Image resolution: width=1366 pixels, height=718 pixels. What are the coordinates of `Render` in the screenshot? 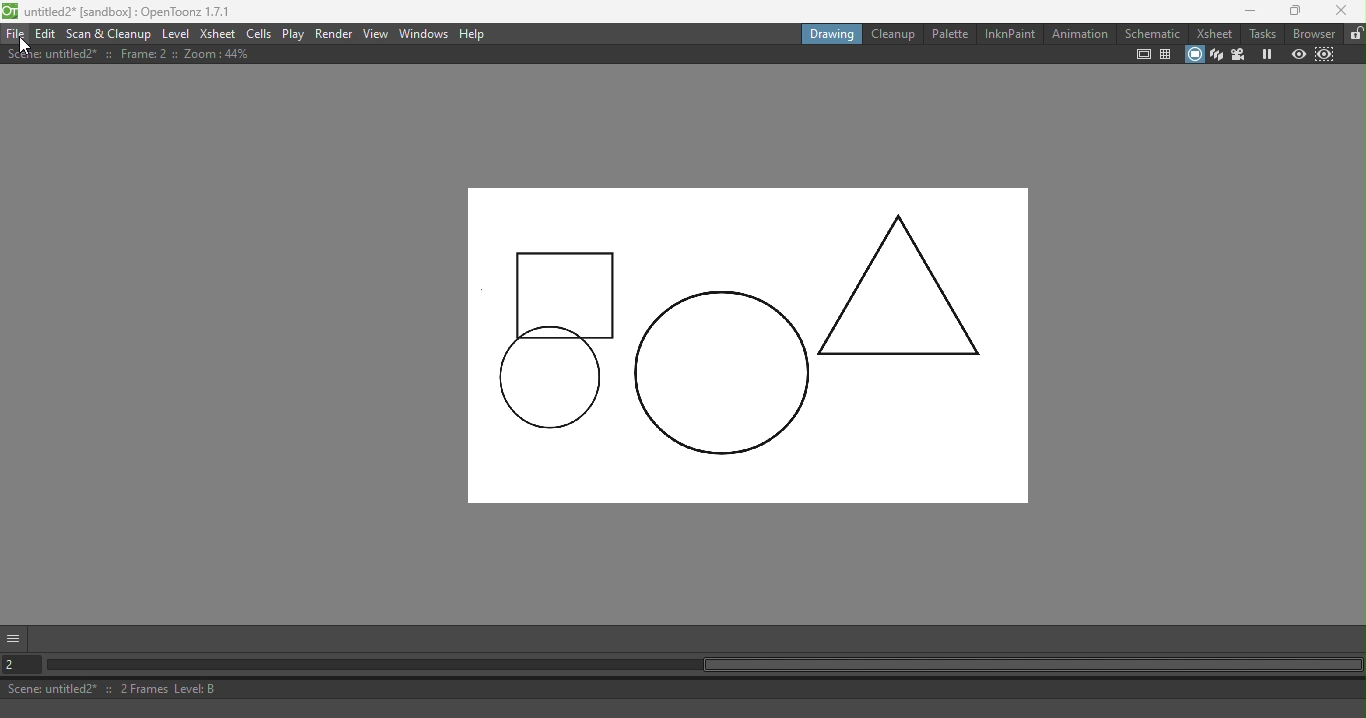 It's located at (331, 35).